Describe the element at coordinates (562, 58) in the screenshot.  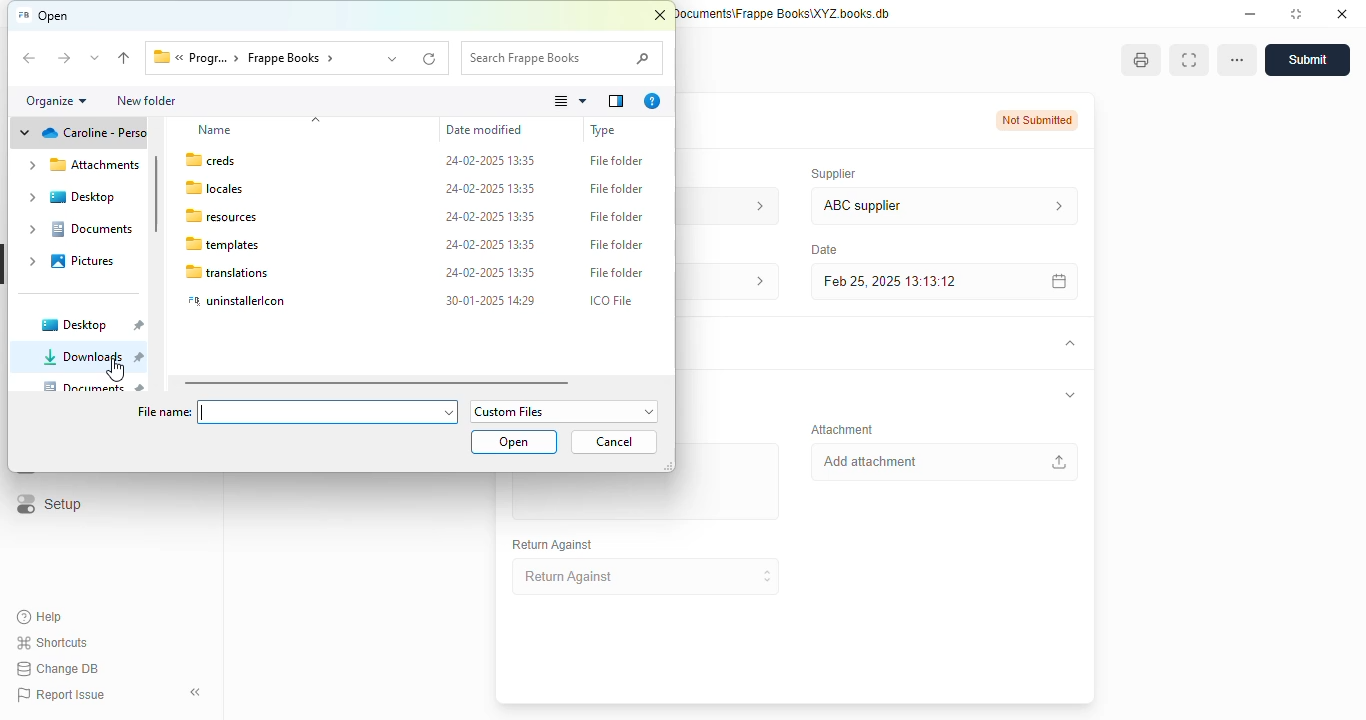
I see `search frappe books` at that location.